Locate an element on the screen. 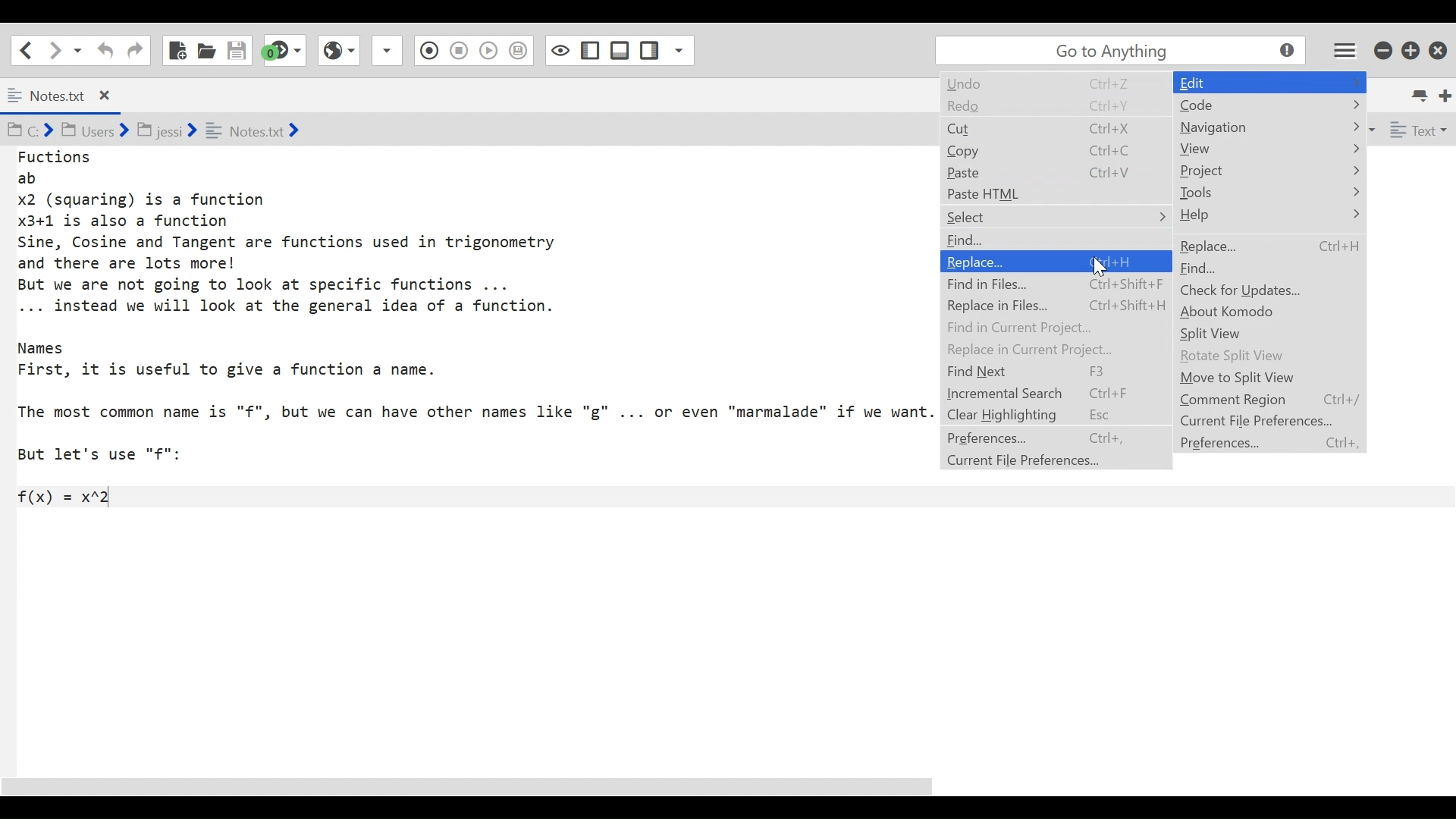 This screenshot has width=1456, height=819. Paste is located at coordinates (1040, 171).